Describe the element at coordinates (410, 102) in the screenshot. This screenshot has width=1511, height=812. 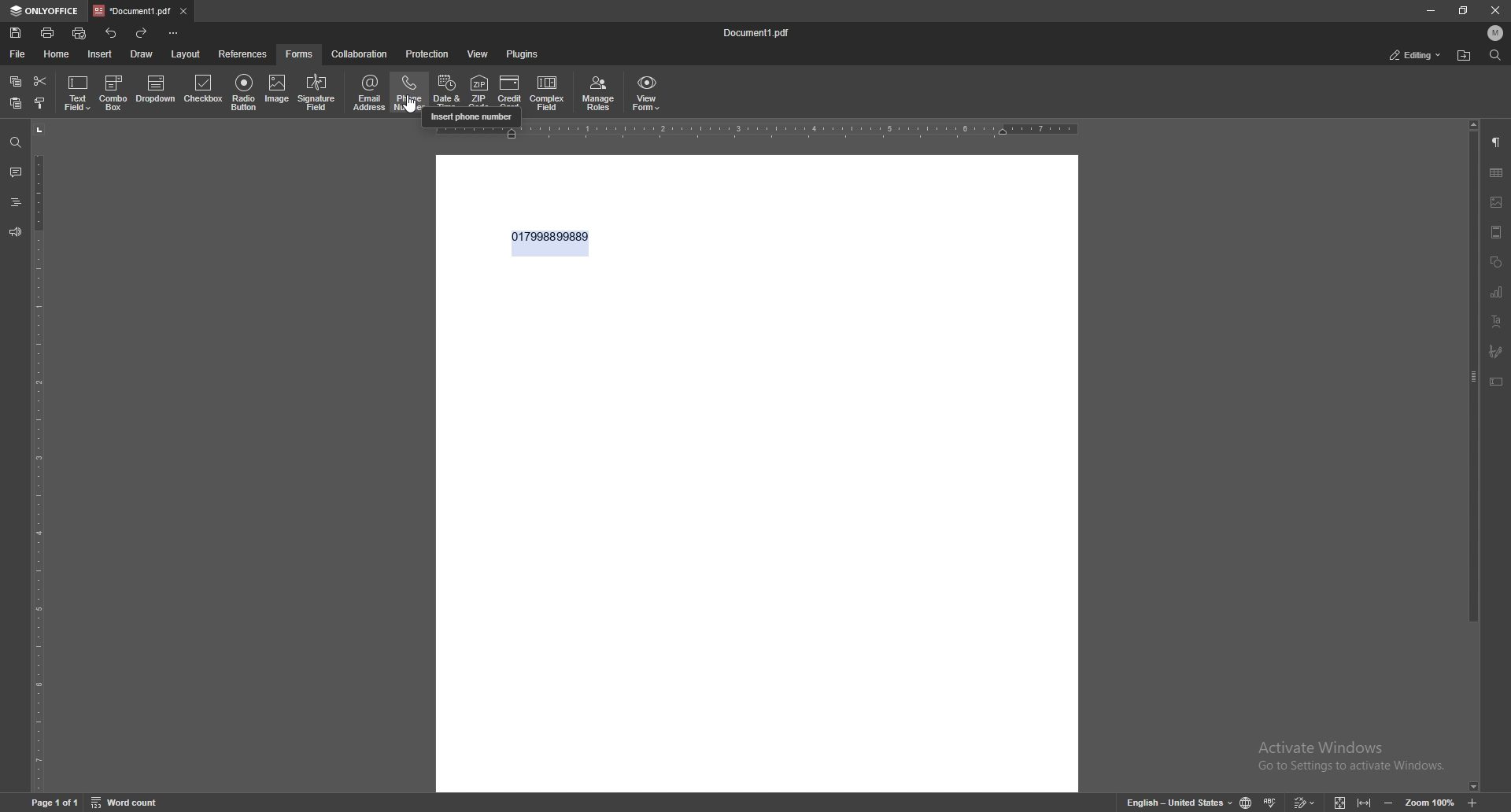
I see `cursor` at that location.